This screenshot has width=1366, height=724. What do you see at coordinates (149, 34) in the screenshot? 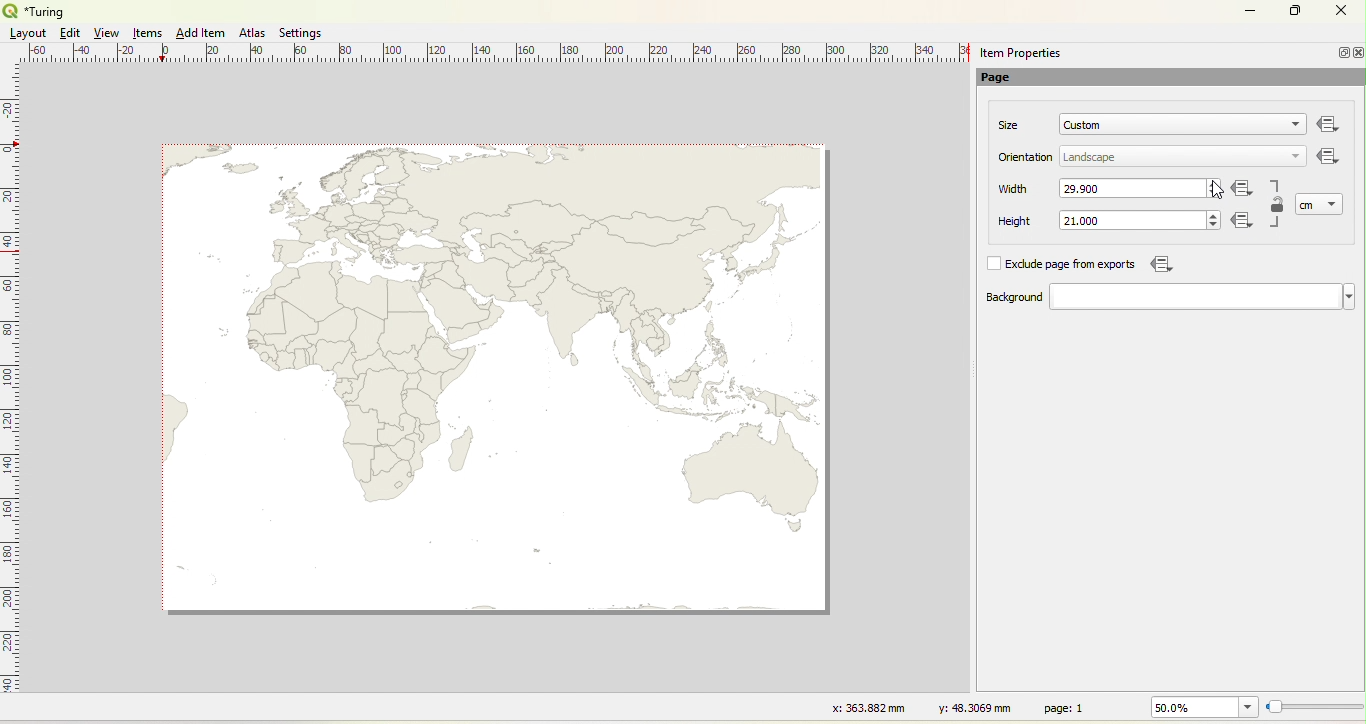
I see `Items` at bounding box center [149, 34].